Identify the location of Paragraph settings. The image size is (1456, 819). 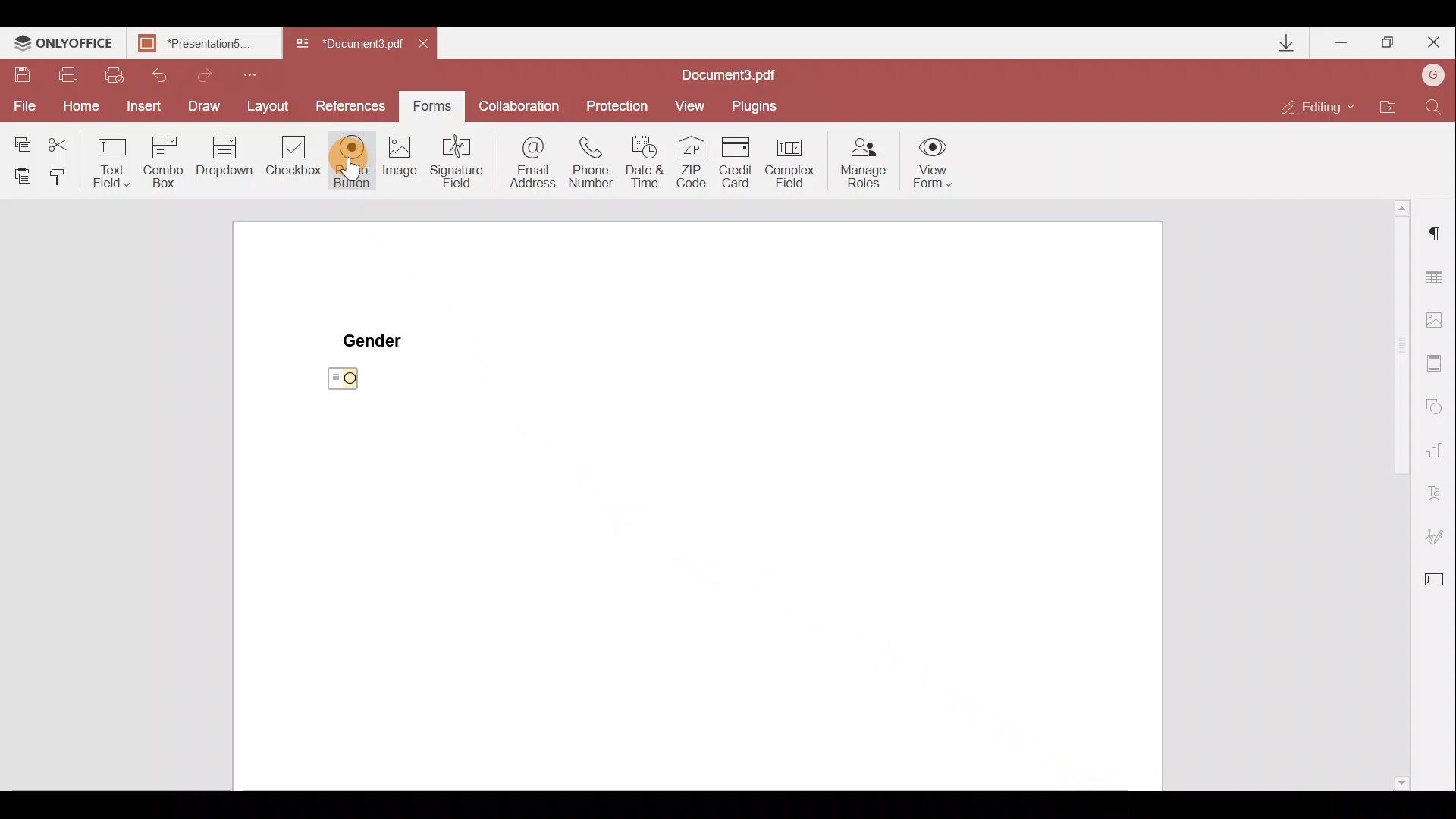
(1434, 240).